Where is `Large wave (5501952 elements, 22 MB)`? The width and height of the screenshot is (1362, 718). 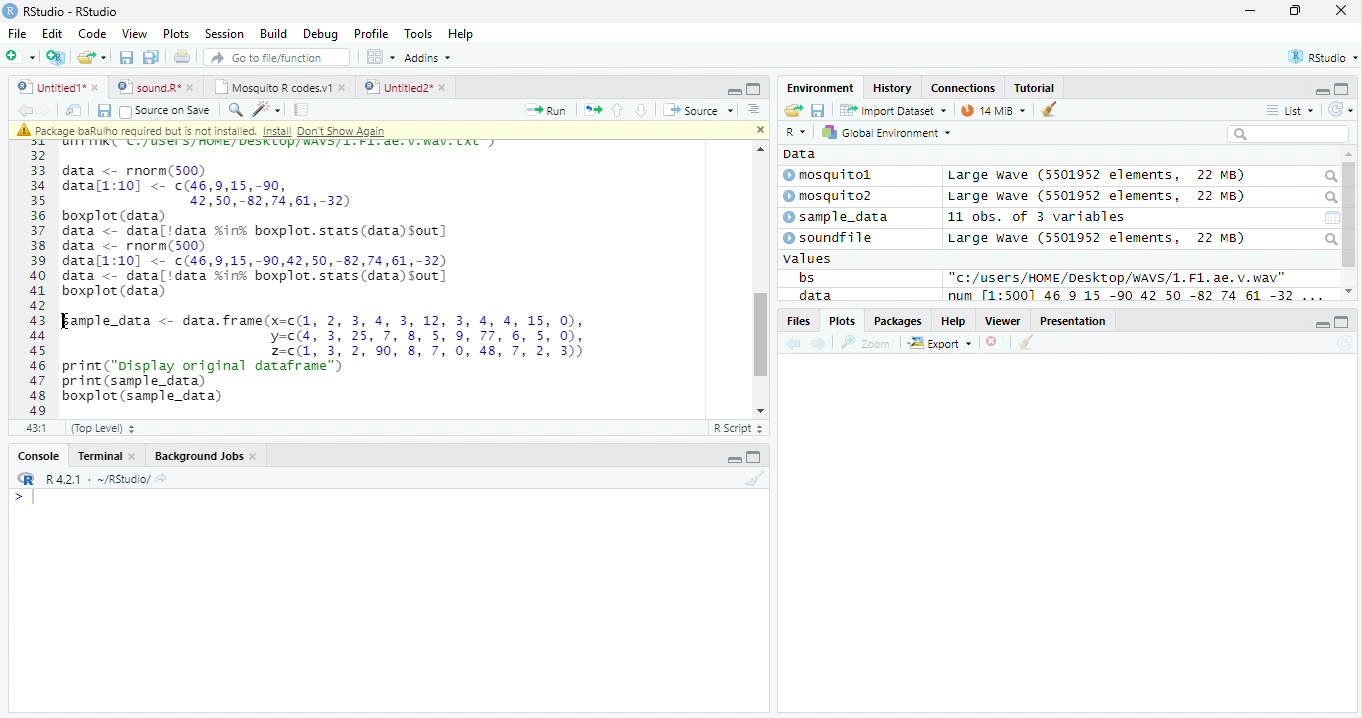
Large wave (5501952 elements, 22 MB) is located at coordinates (1096, 176).